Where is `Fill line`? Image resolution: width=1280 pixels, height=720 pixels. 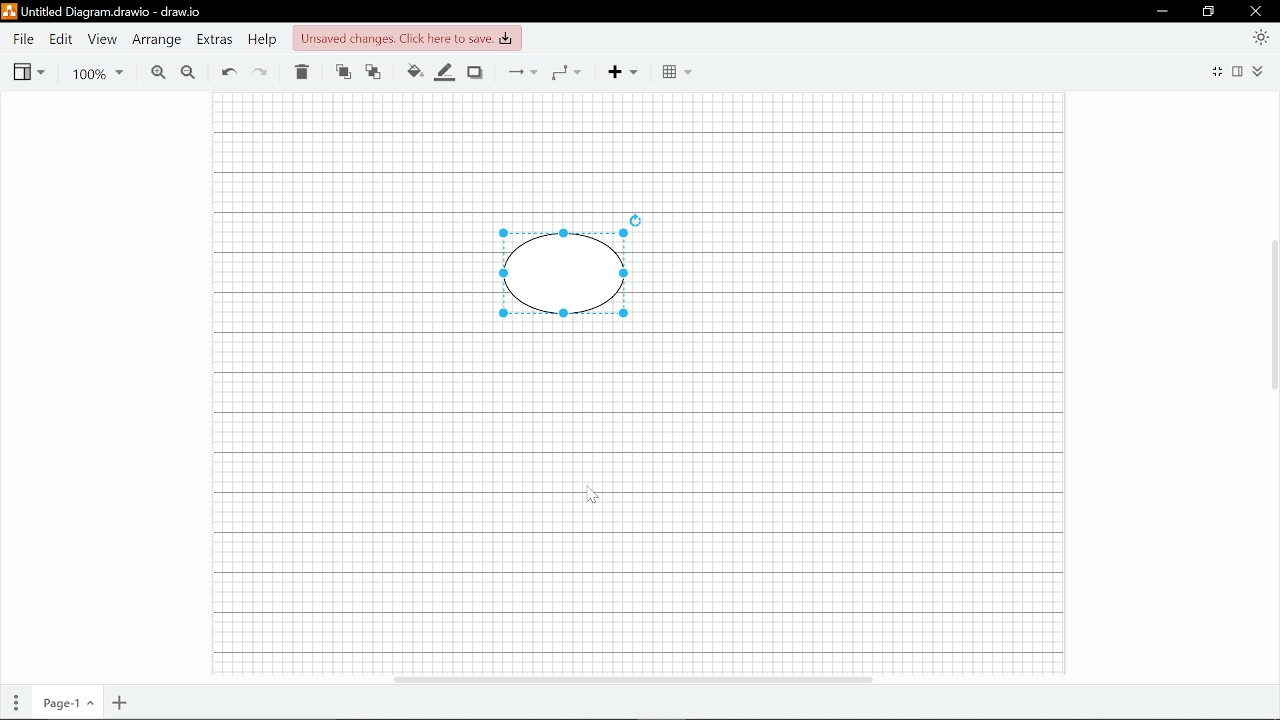
Fill line is located at coordinates (446, 73).